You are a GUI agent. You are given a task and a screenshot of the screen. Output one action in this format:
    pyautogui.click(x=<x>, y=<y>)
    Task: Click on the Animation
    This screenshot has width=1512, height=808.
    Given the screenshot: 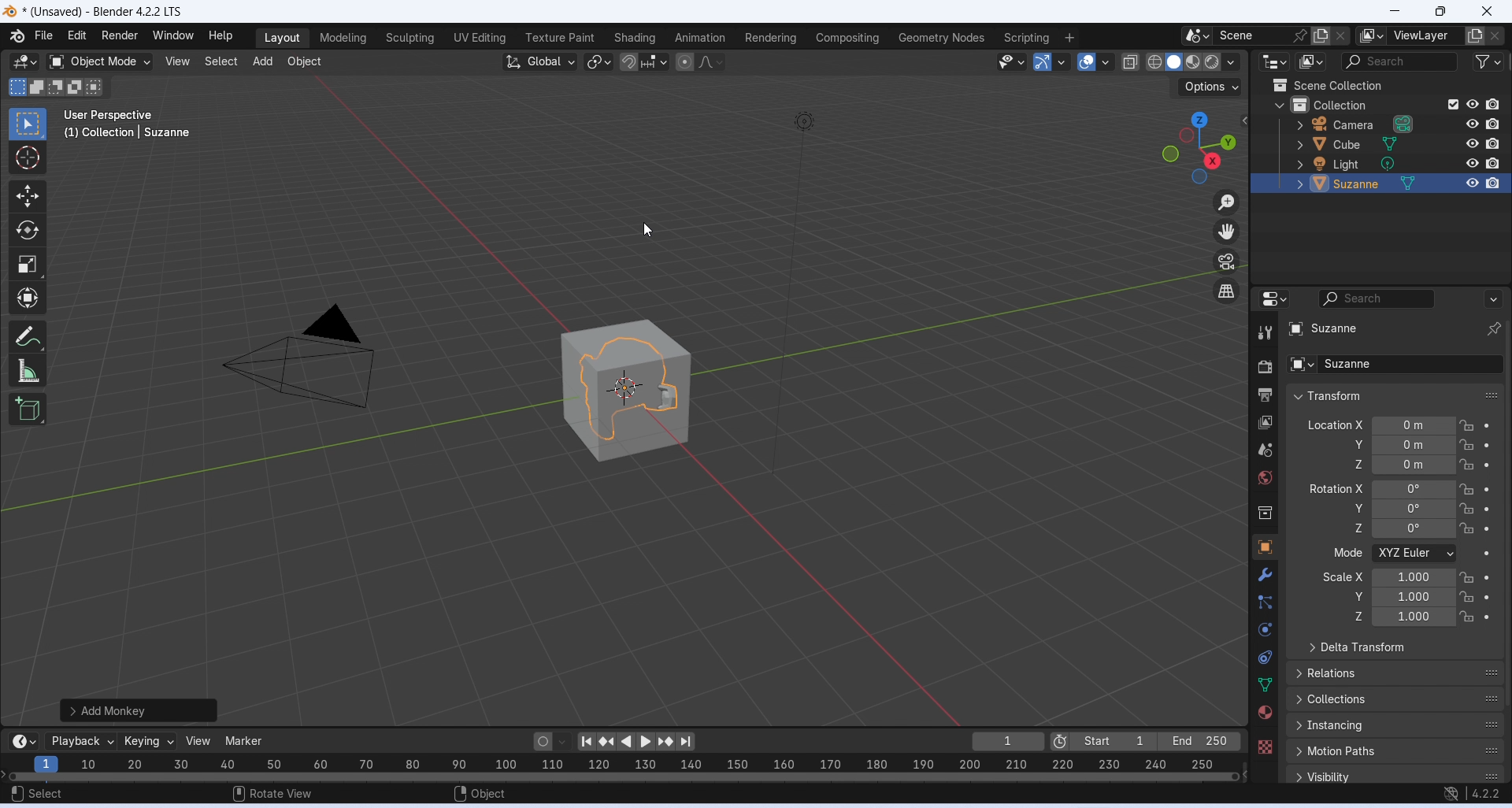 What is the action you would take?
    pyautogui.click(x=699, y=37)
    